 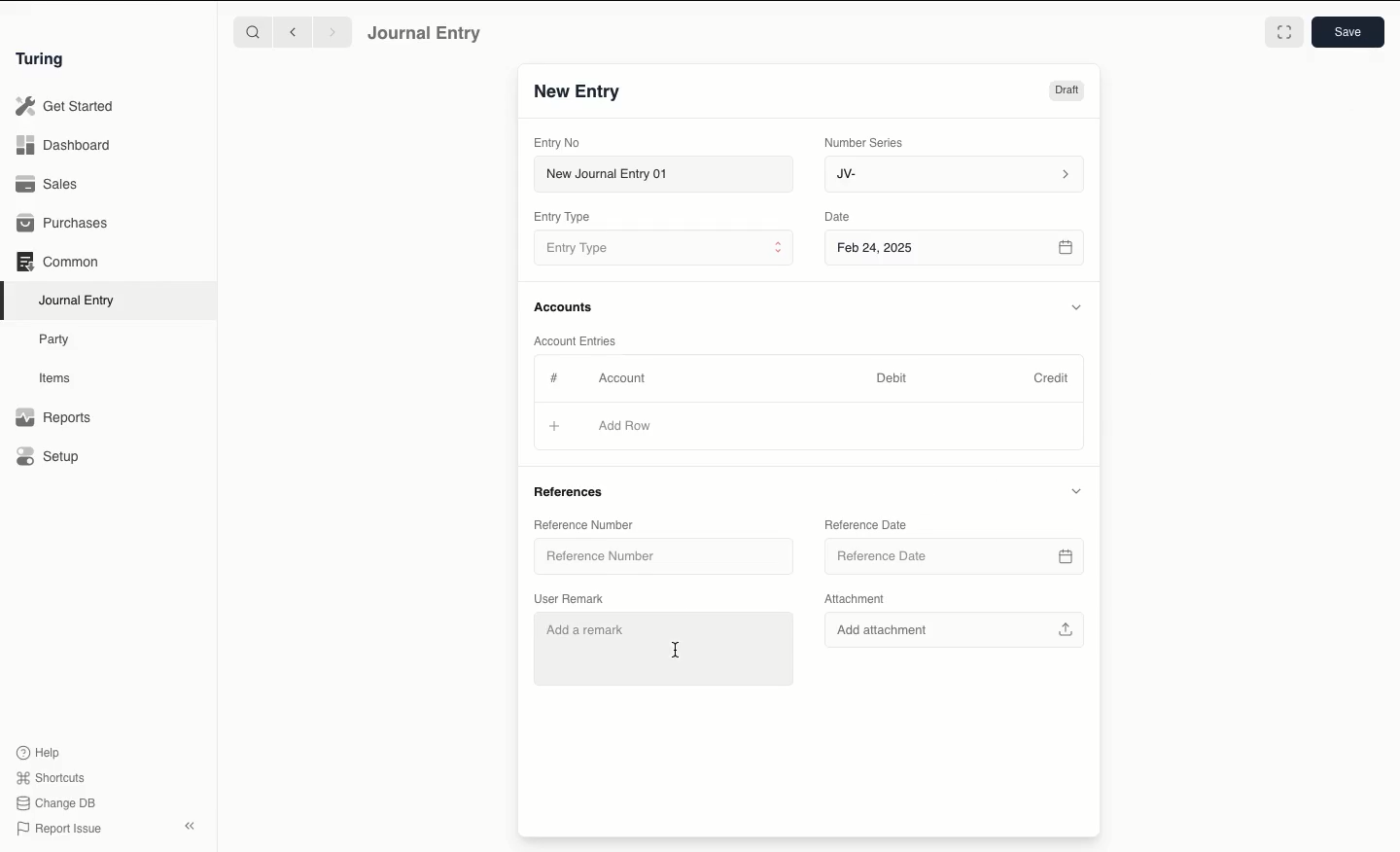 I want to click on Reference Number, so click(x=663, y=554).